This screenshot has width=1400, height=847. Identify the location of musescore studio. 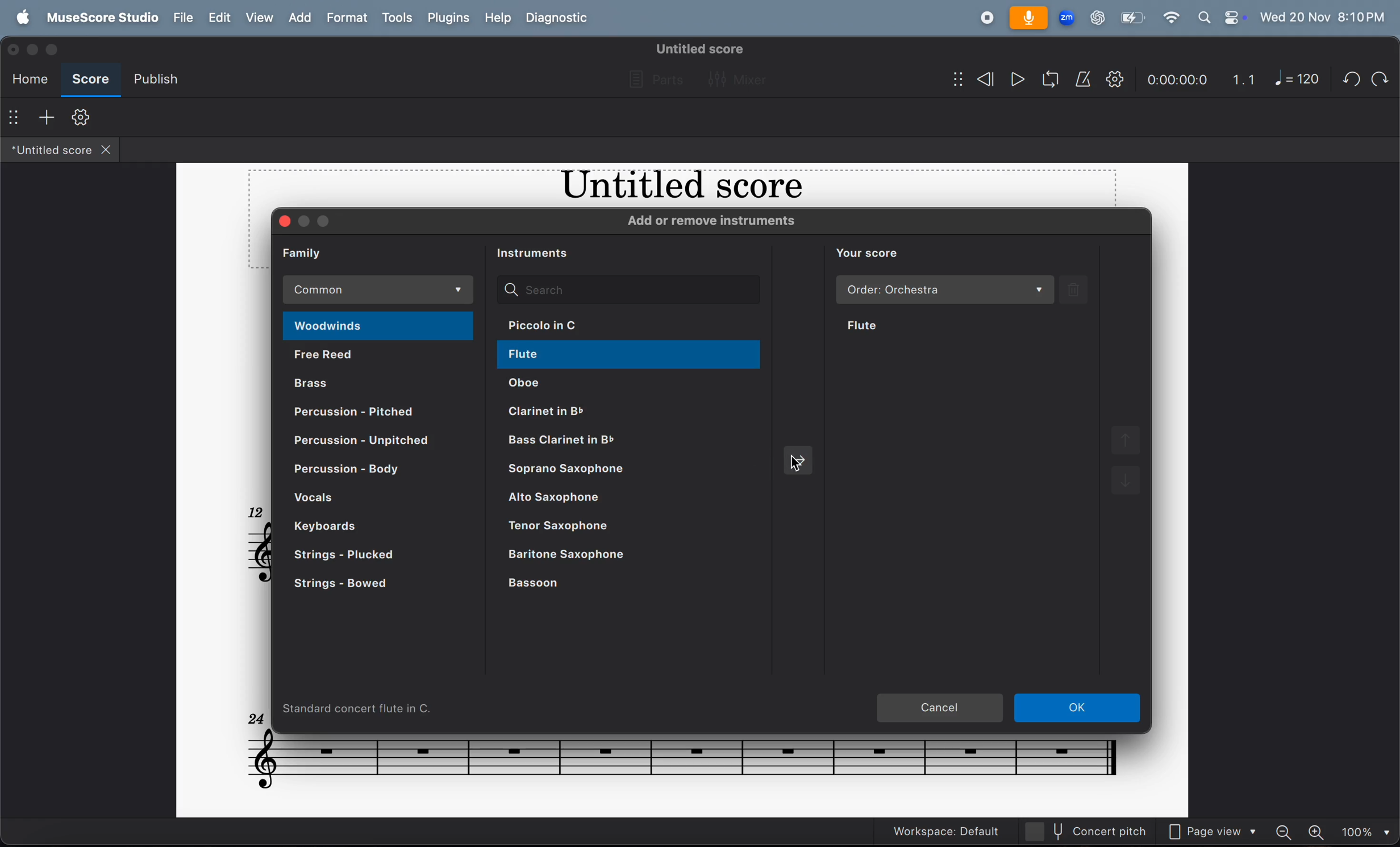
(98, 17).